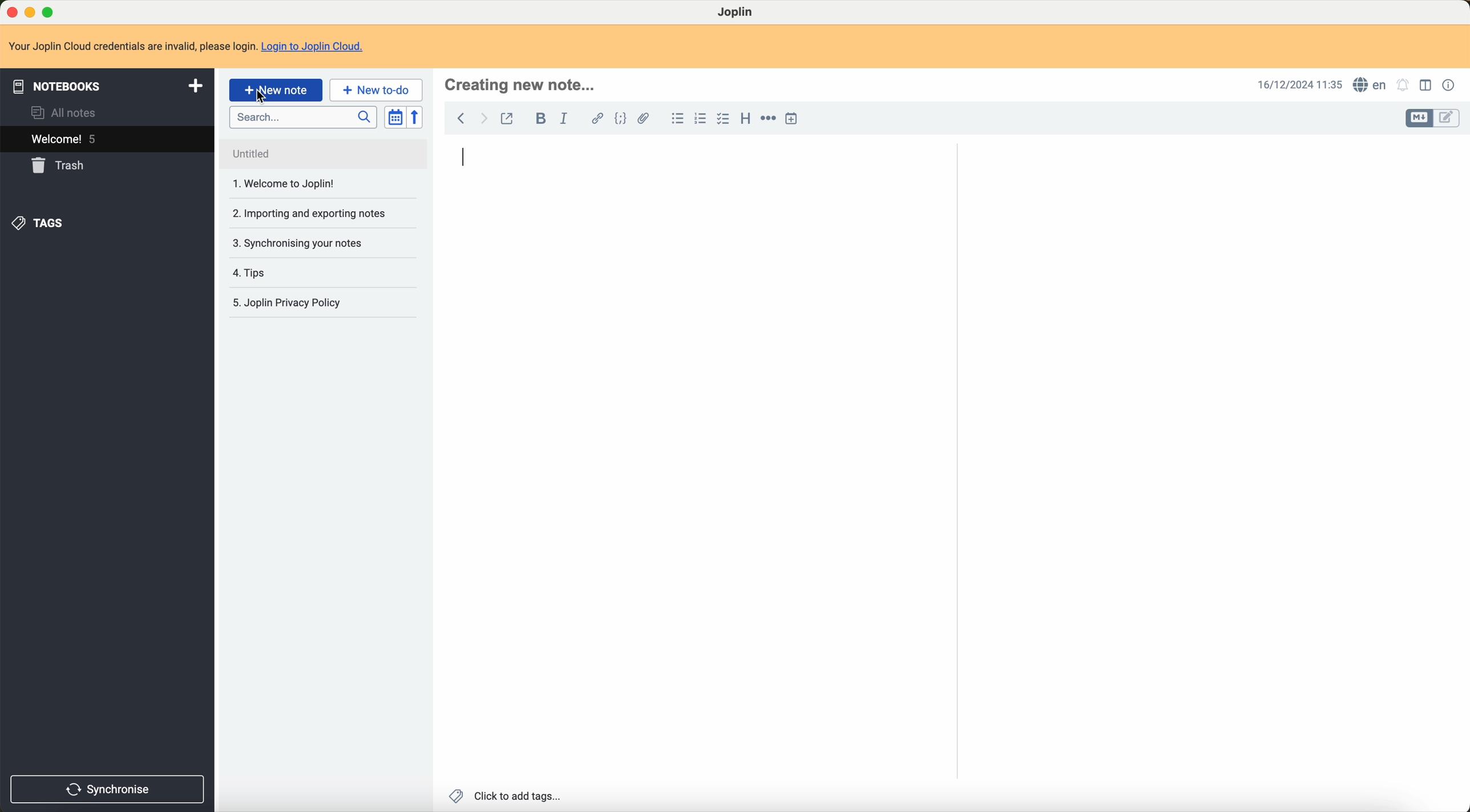 This screenshot has width=1470, height=812. What do you see at coordinates (797, 118) in the screenshot?
I see `insert time` at bounding box center [797, 118].